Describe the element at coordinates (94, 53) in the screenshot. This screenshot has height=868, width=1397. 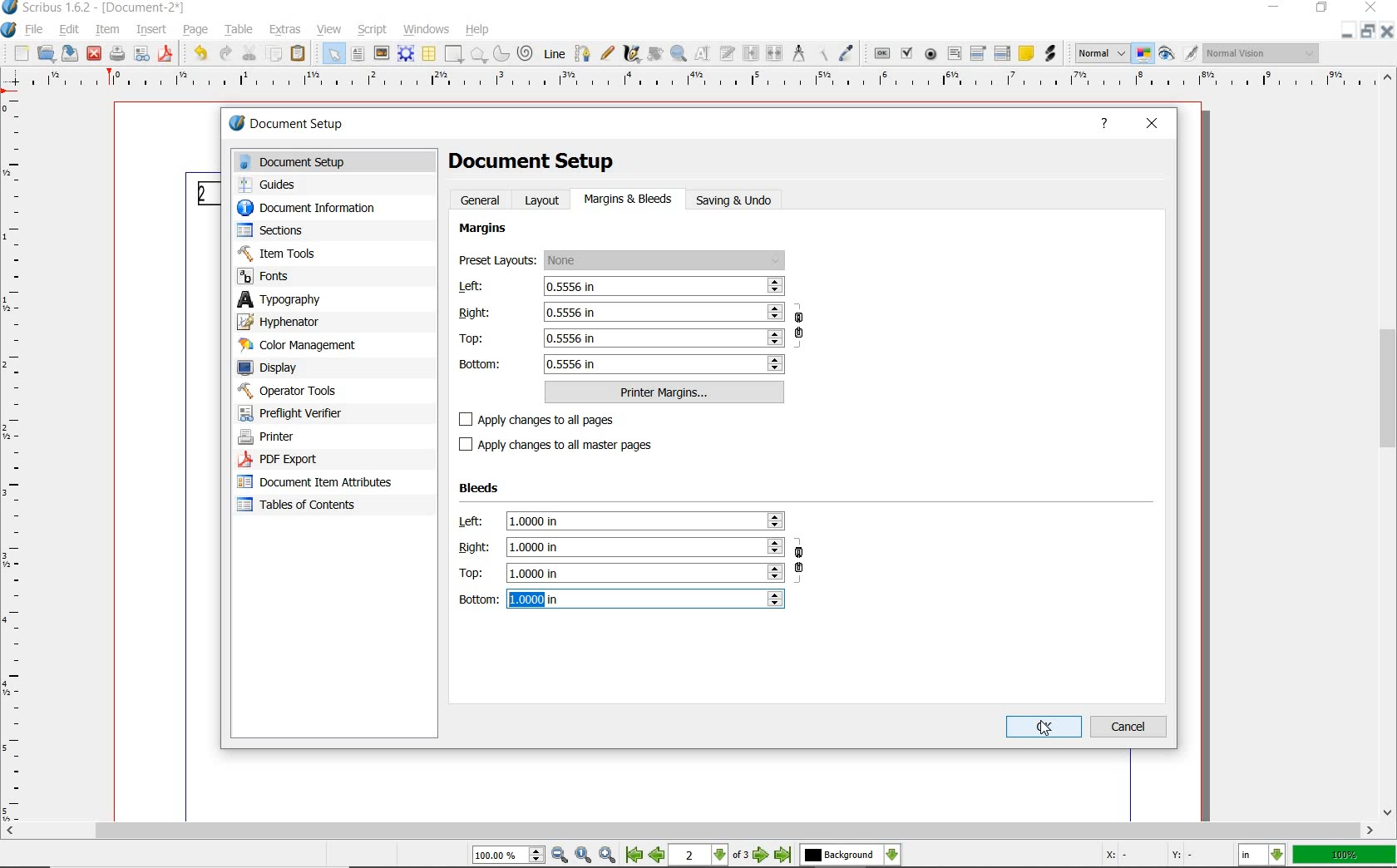
I see `close` at that location.